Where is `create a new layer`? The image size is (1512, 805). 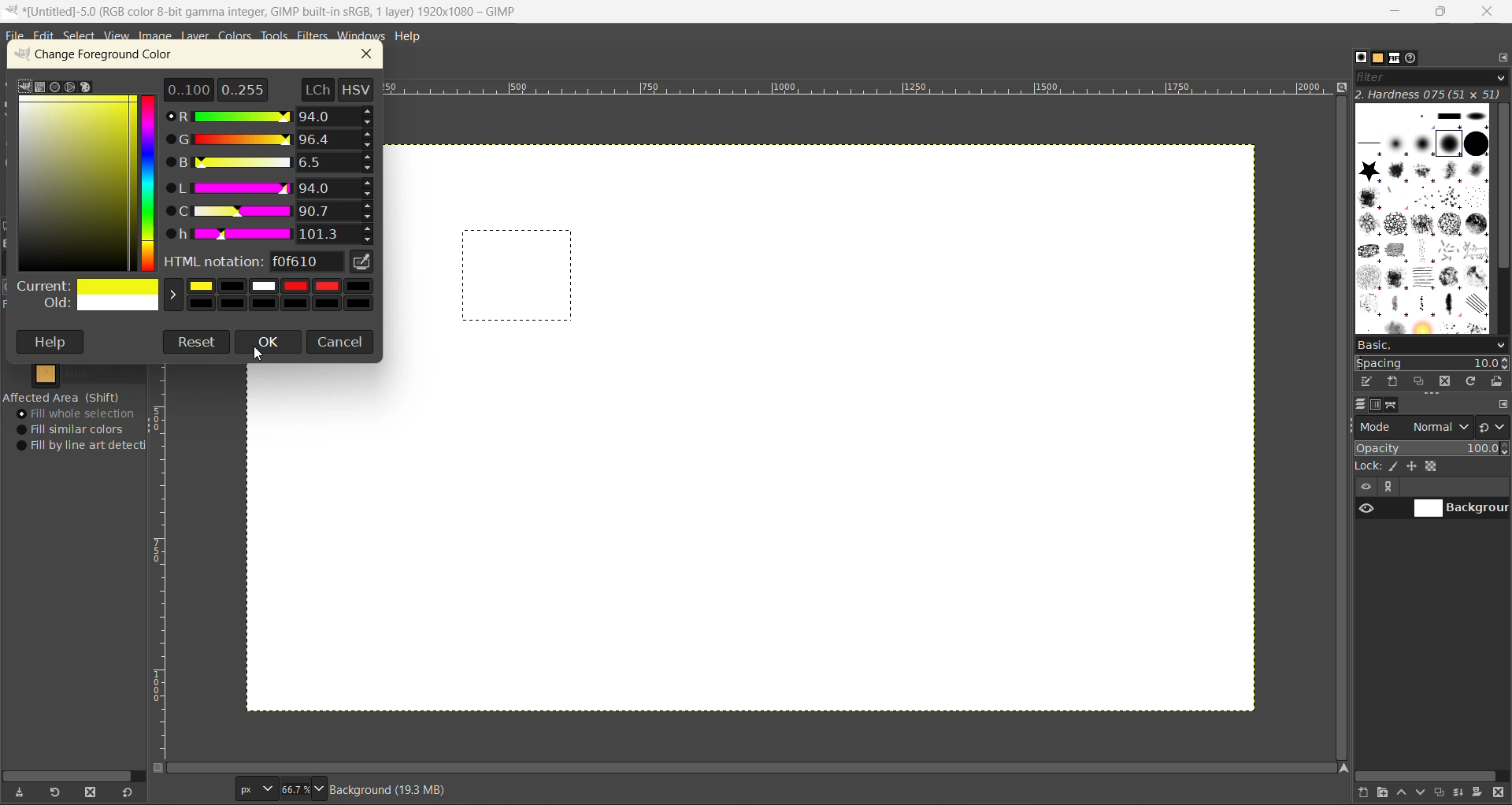
create a new layer is located at coordinates (1365, 793).